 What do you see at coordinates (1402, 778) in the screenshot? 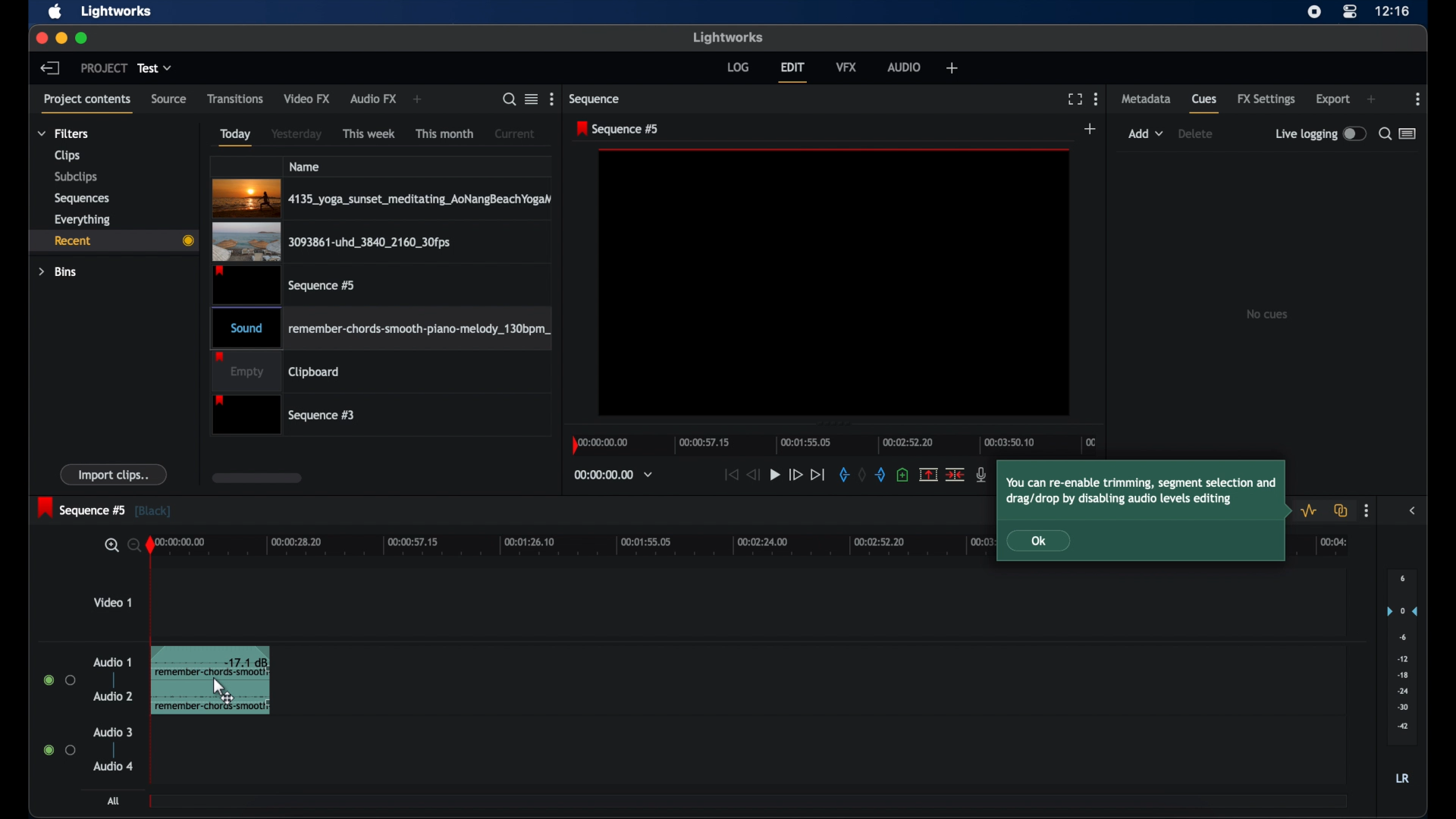
I see `LR` at bounding box center [1402, 778].